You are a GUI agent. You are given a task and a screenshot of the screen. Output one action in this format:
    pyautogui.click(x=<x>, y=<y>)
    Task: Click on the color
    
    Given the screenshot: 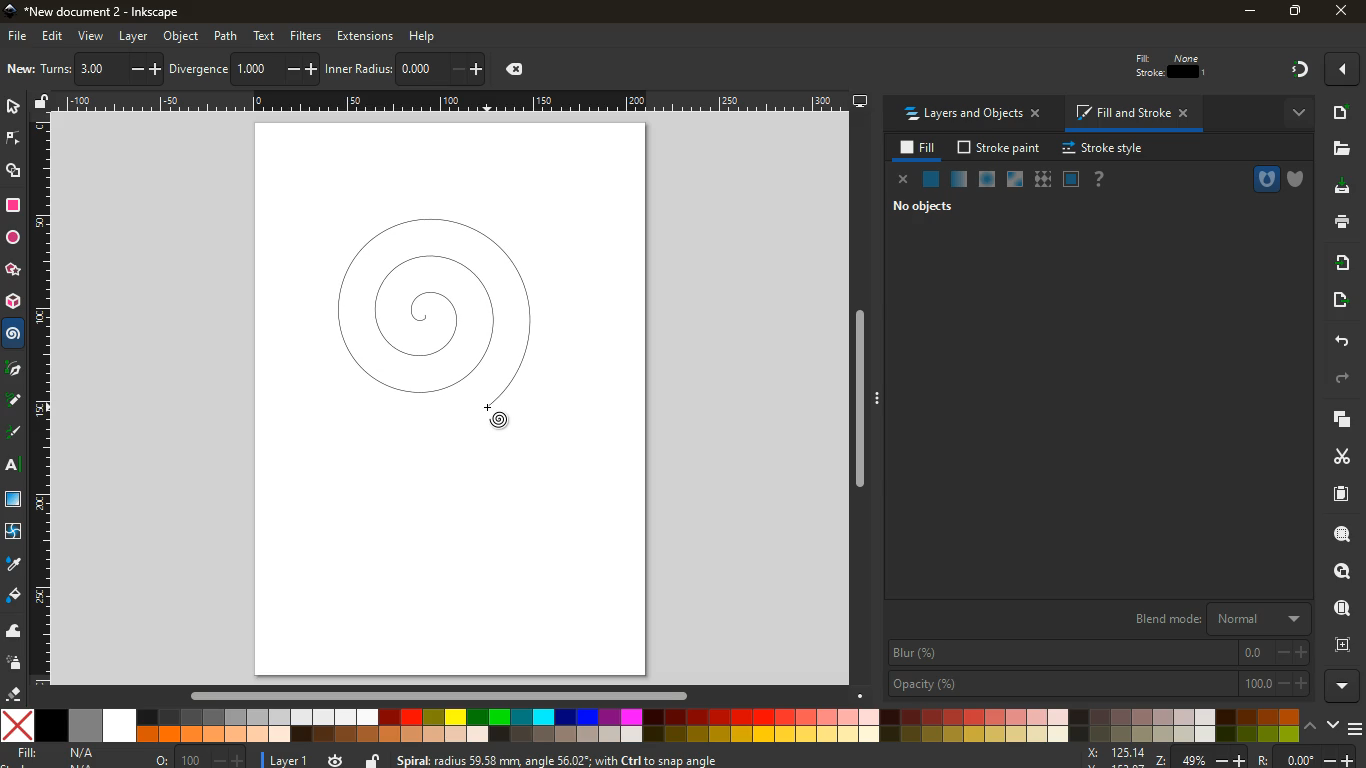 What is the action you would take?
    pyautogui.click(x=649, y=726)
    